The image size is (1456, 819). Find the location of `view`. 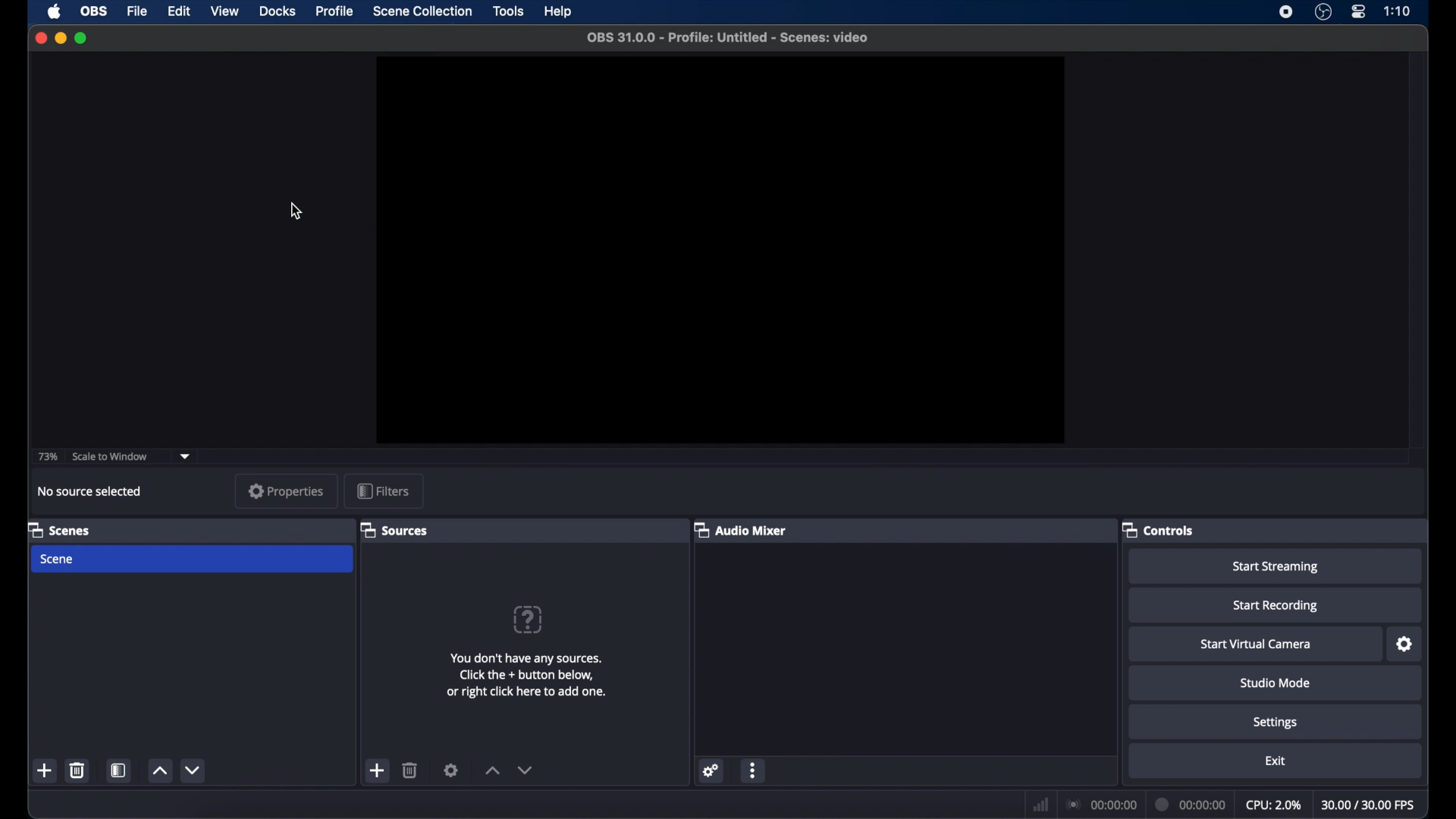

view is located at coordinates (224, 11).